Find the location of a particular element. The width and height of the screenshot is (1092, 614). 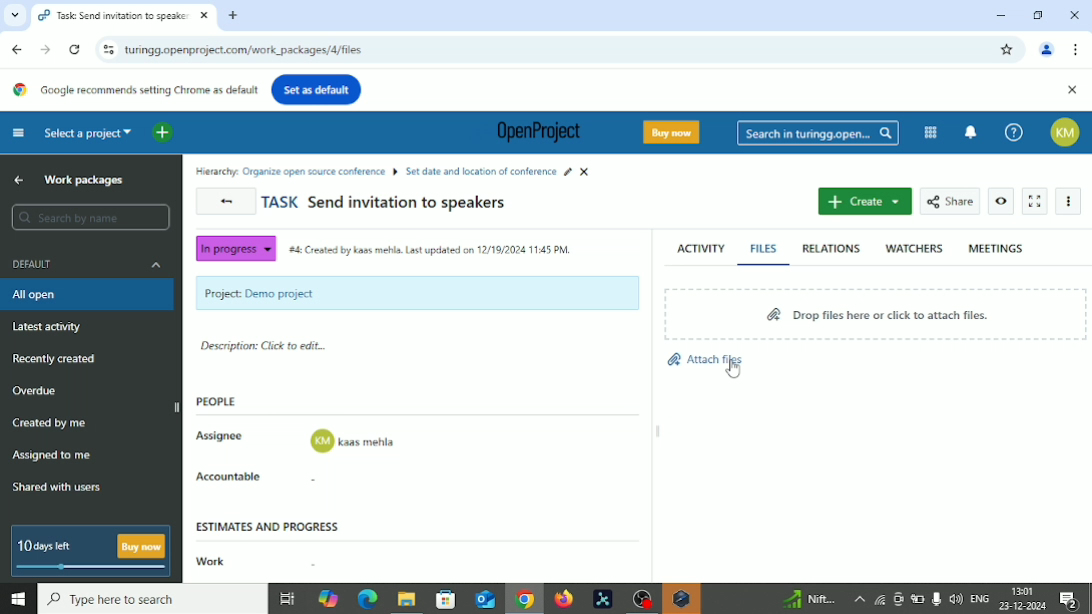

close current tab is located at coordinates (203, 17).